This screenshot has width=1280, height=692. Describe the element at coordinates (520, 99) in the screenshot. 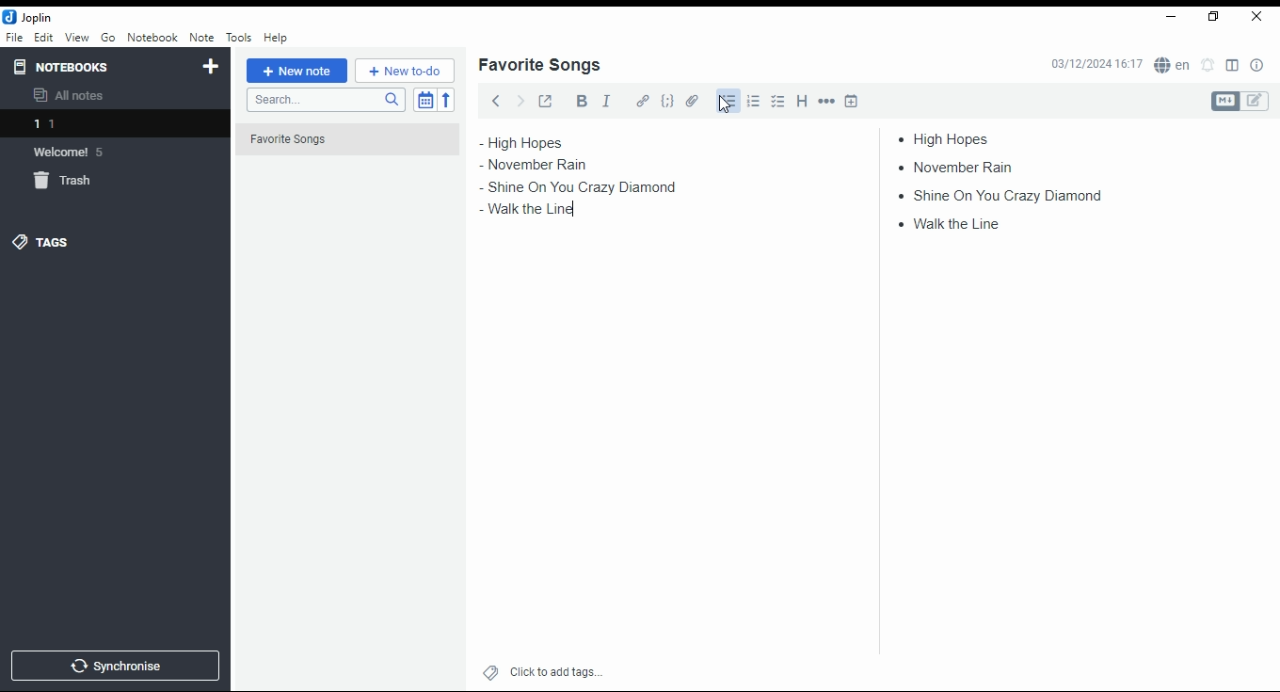

I see `forward` at that location.